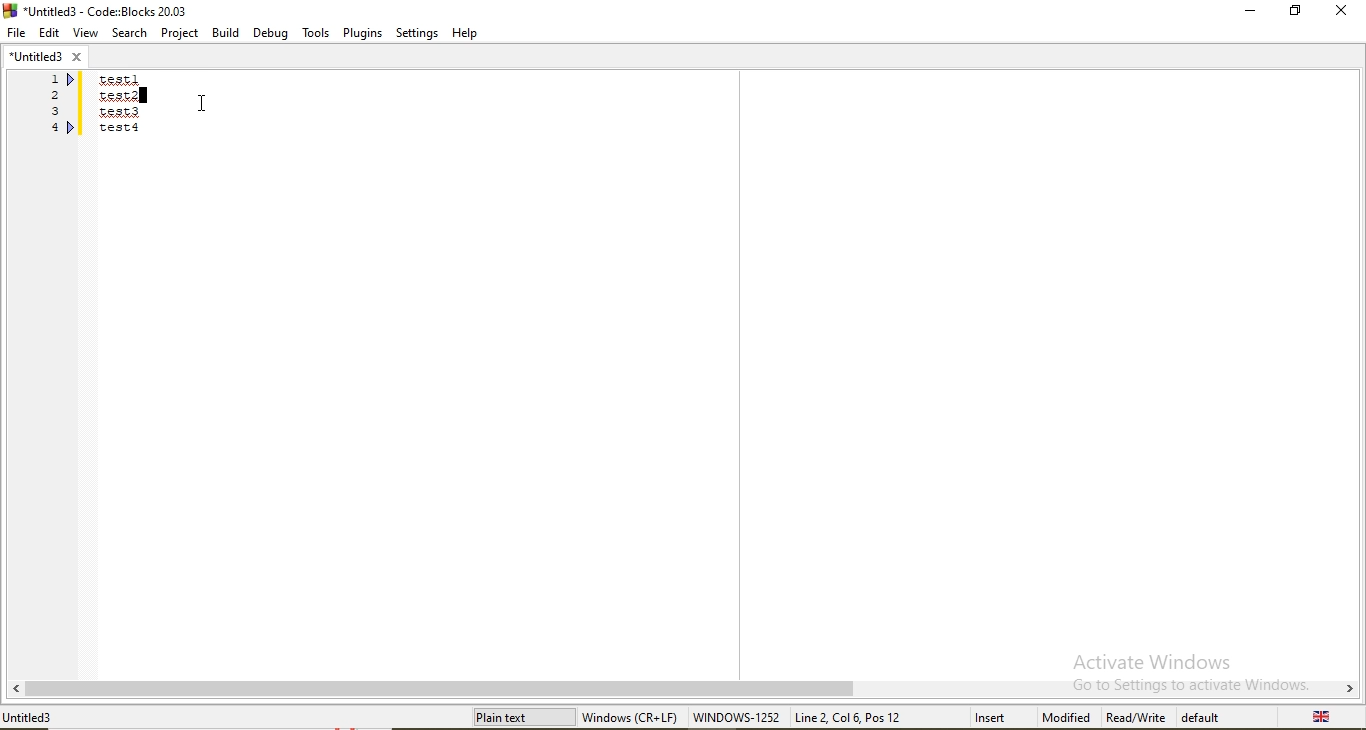  What do you see at coordinates (202, 102) in the screenshot?
I see `cursor` at bounding box center [202, 102].